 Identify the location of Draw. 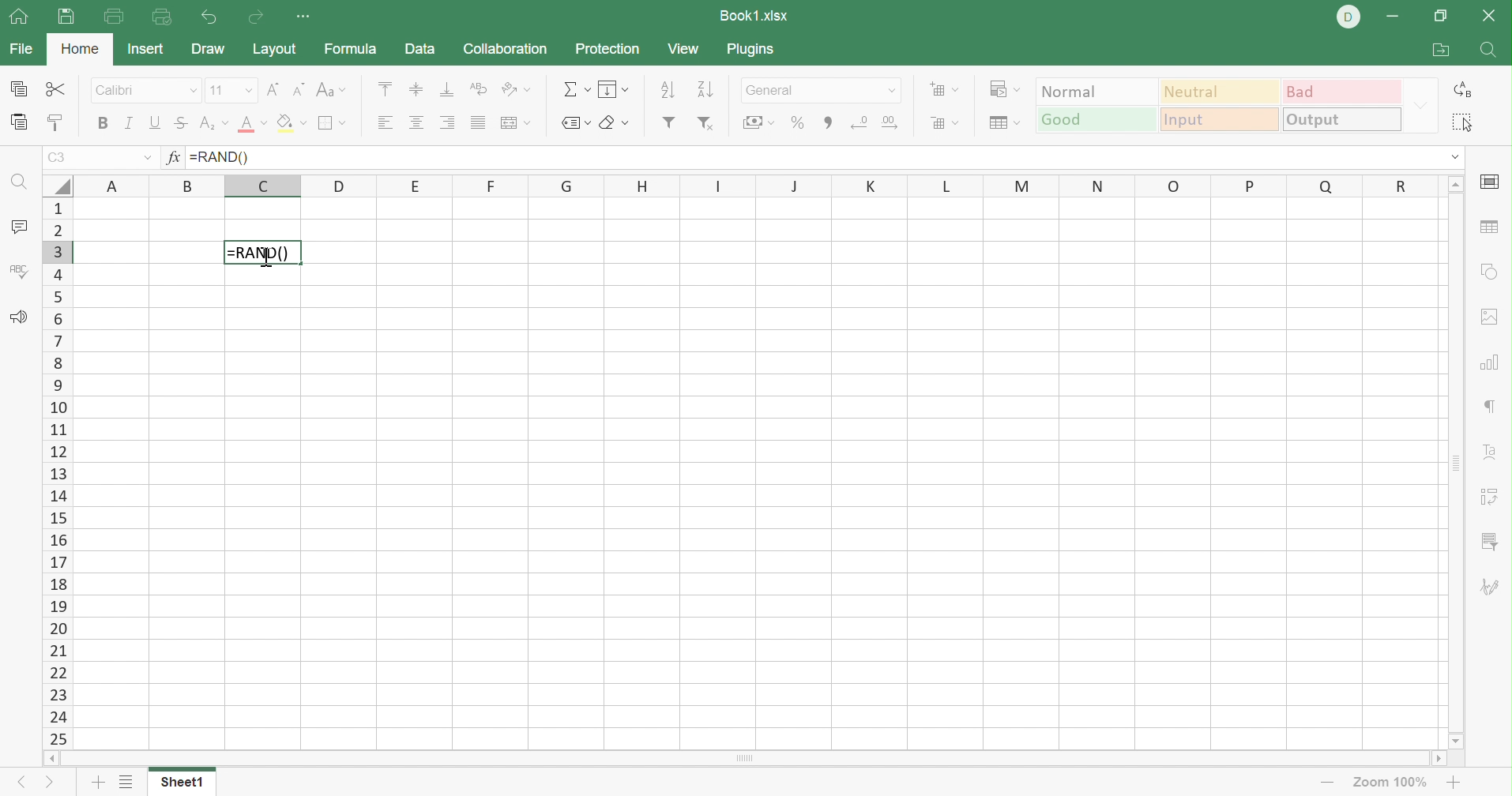
(207, 47).